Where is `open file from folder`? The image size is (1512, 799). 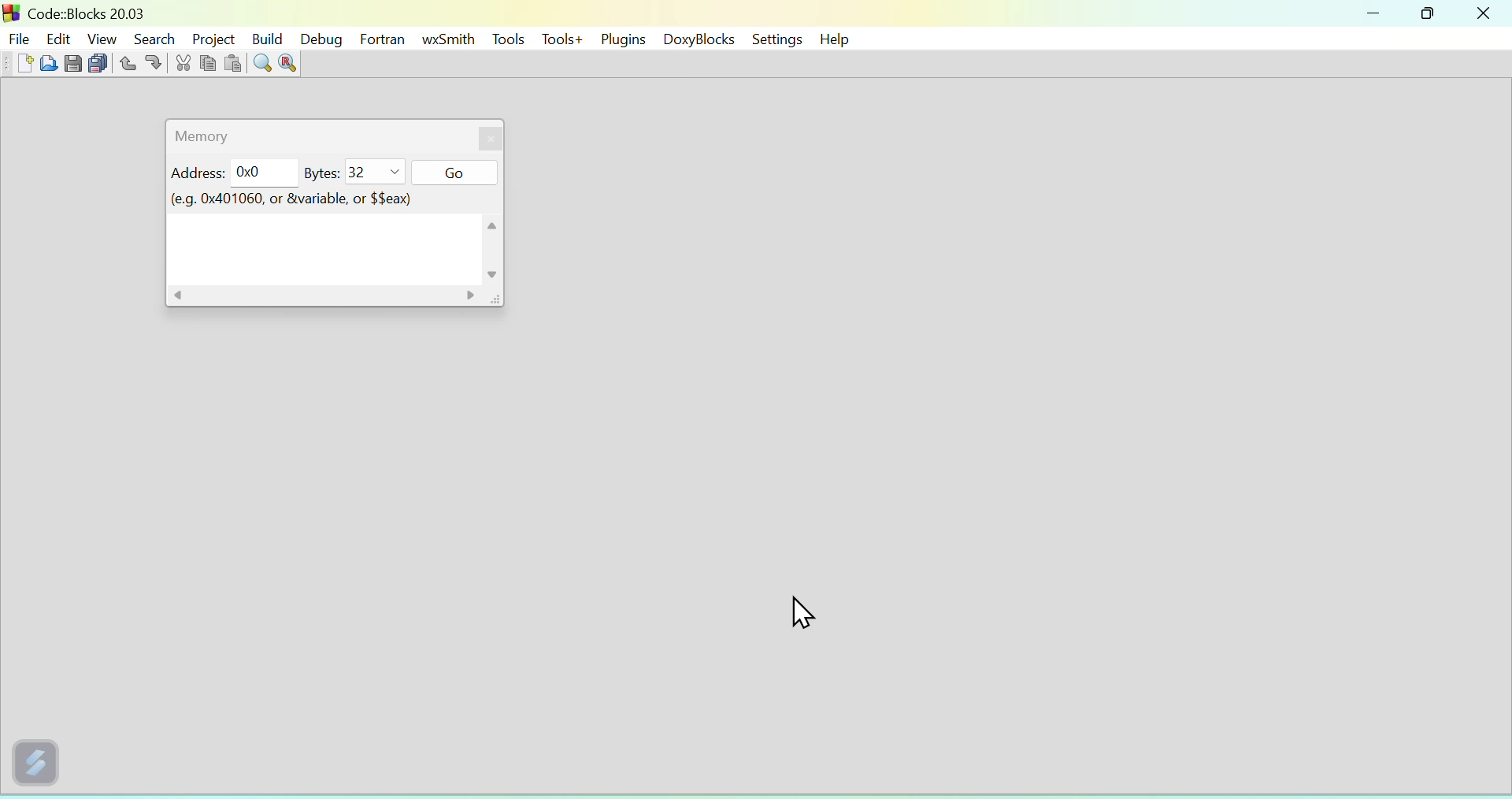 open file from folder is located at coordinates (47, 65).